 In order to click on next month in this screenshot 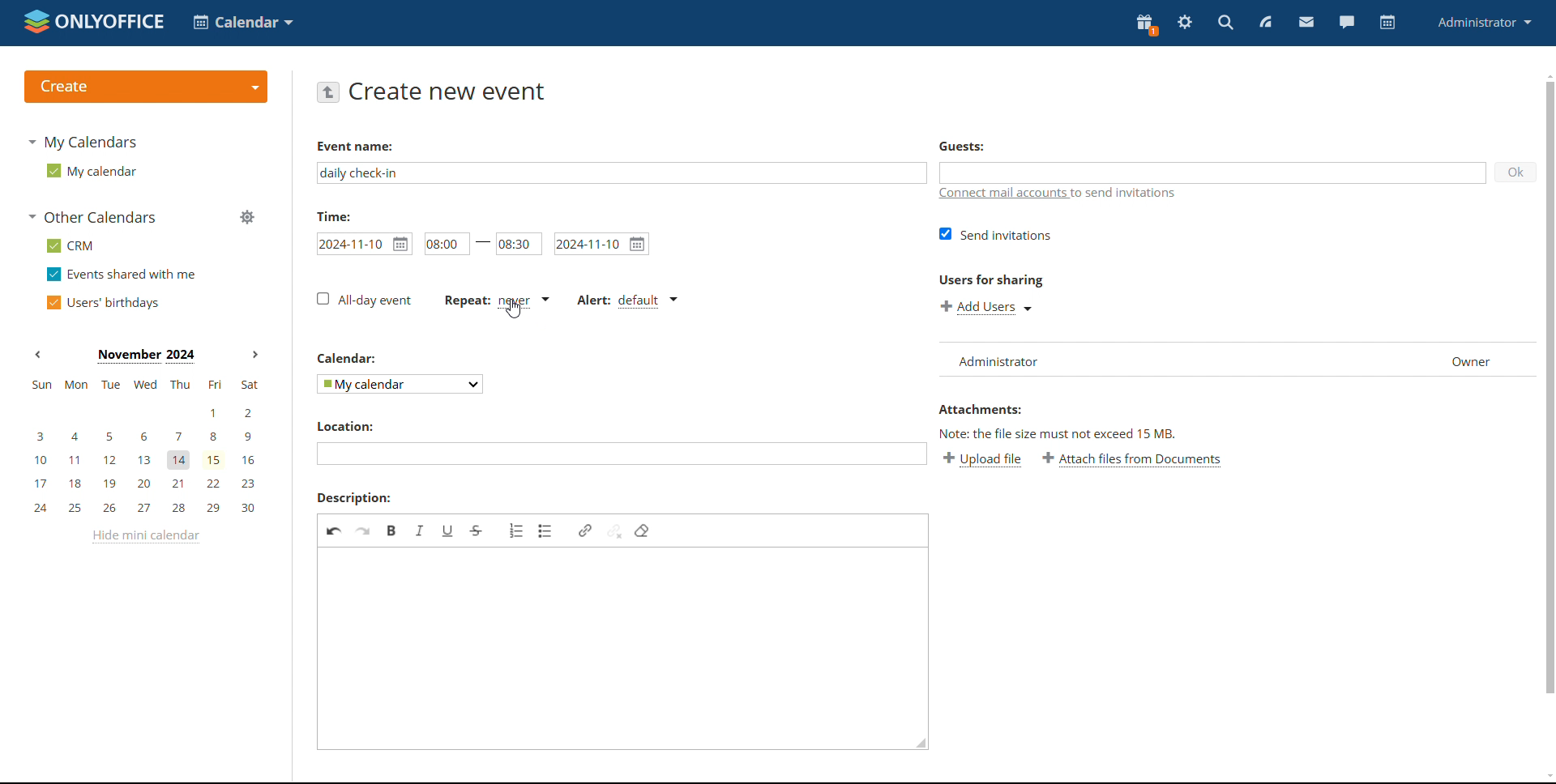, I will do `click(254, 355)`.